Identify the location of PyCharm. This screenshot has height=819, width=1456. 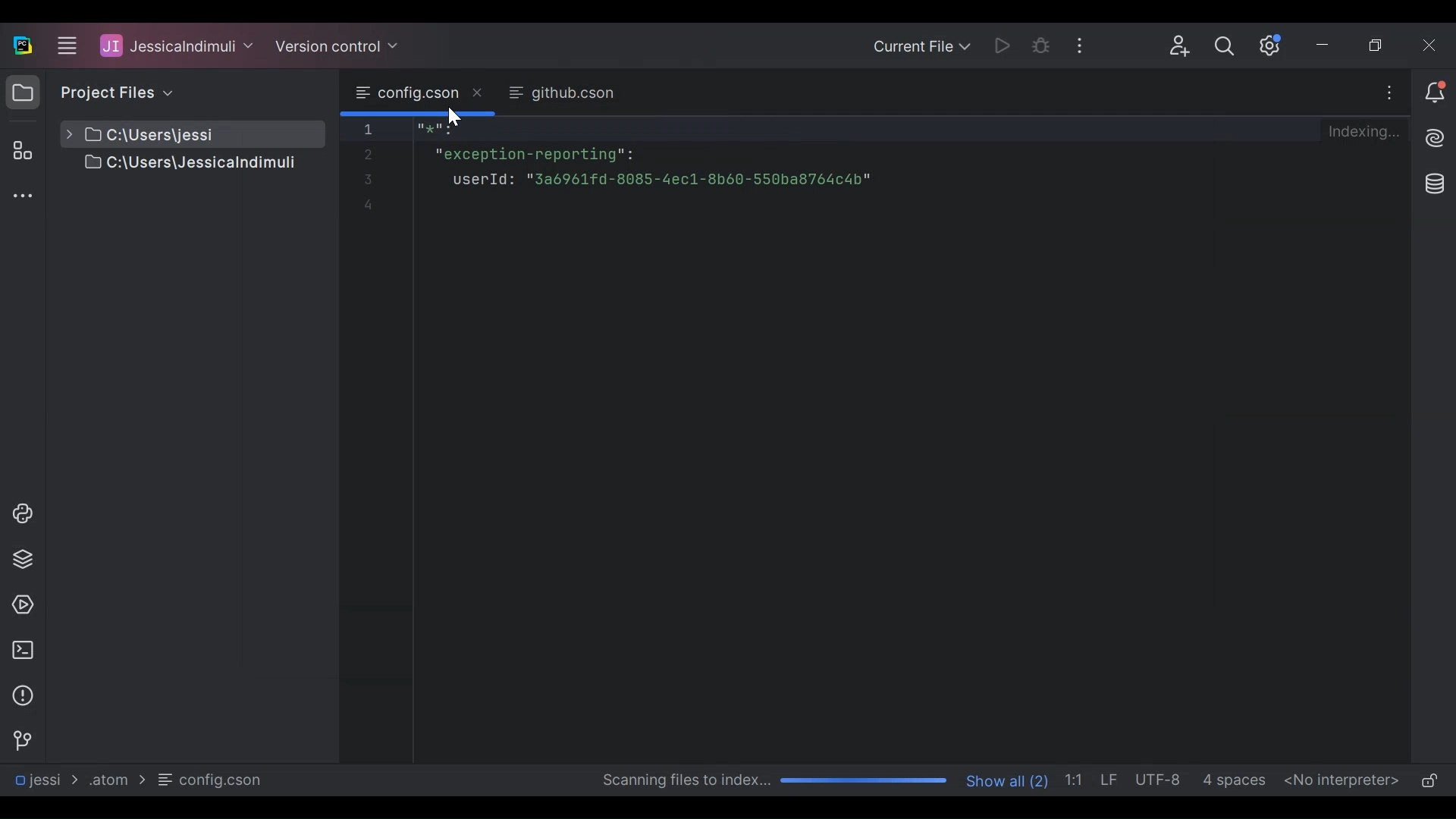
(23, 45).